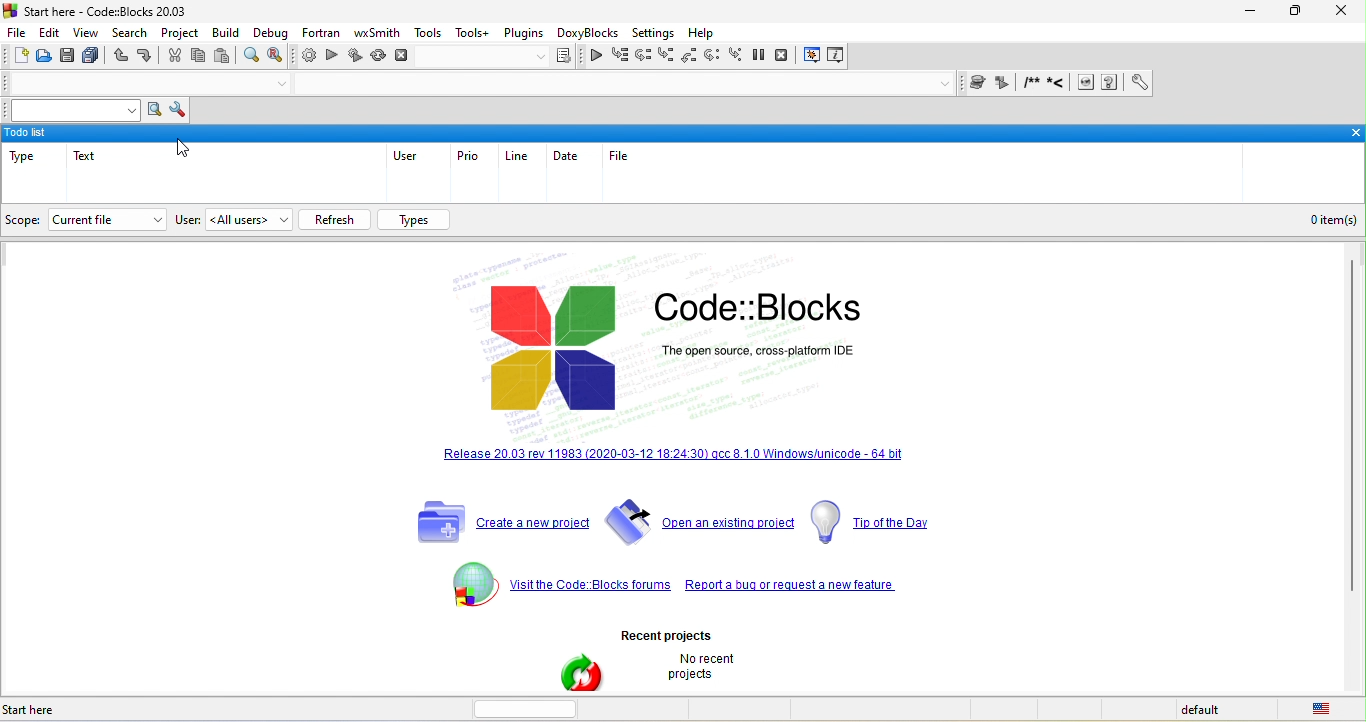  What do you see at coordinates (738, 57) in the screenshot?
I see `step into instruction` at bounding box center [738, 57].